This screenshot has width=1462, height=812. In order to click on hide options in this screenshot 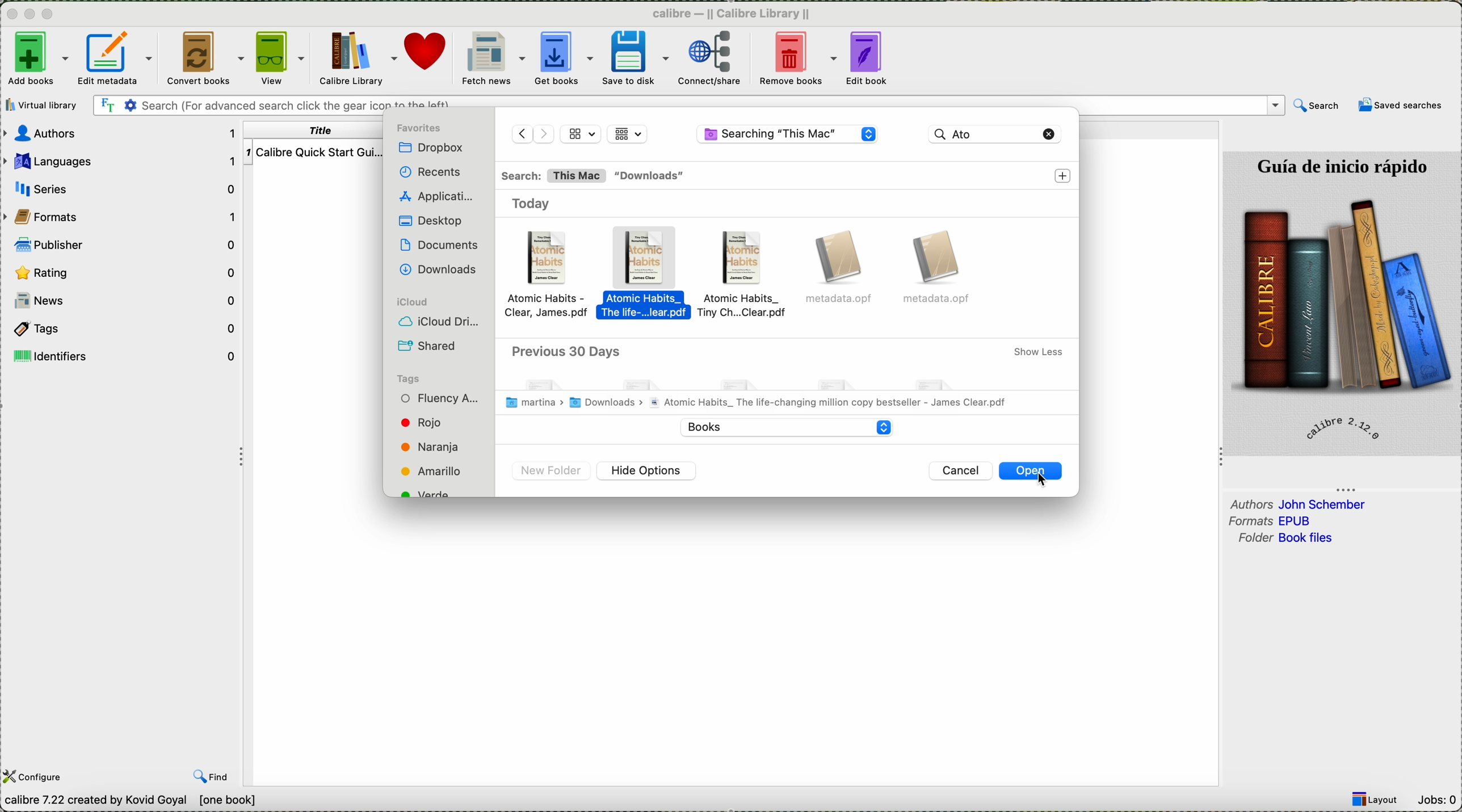, I will do `click(647, 471)`.